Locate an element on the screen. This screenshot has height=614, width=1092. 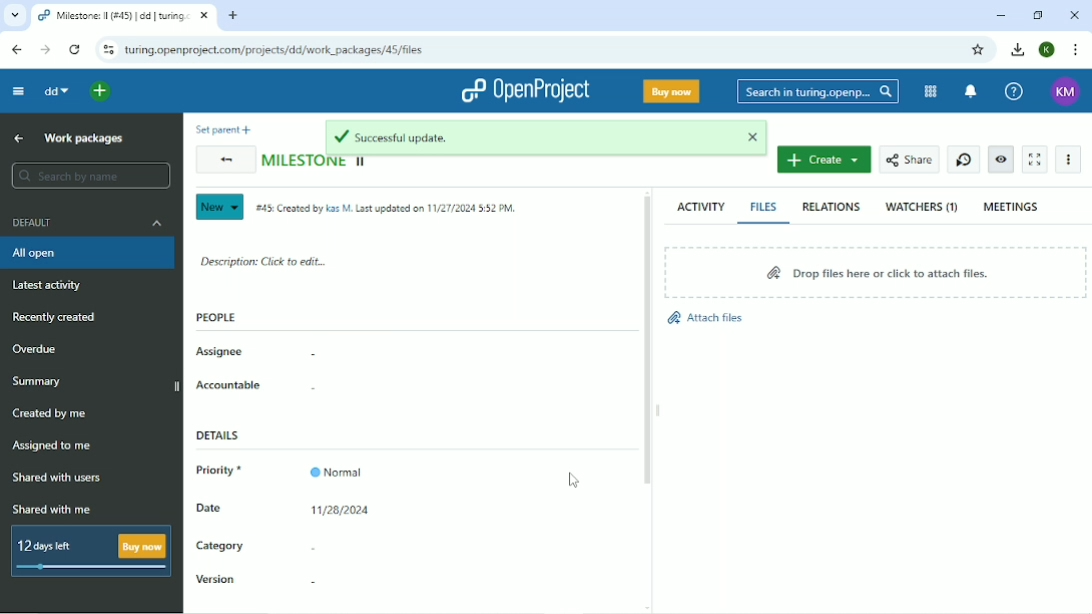
- is located at coordinates (310, 547).